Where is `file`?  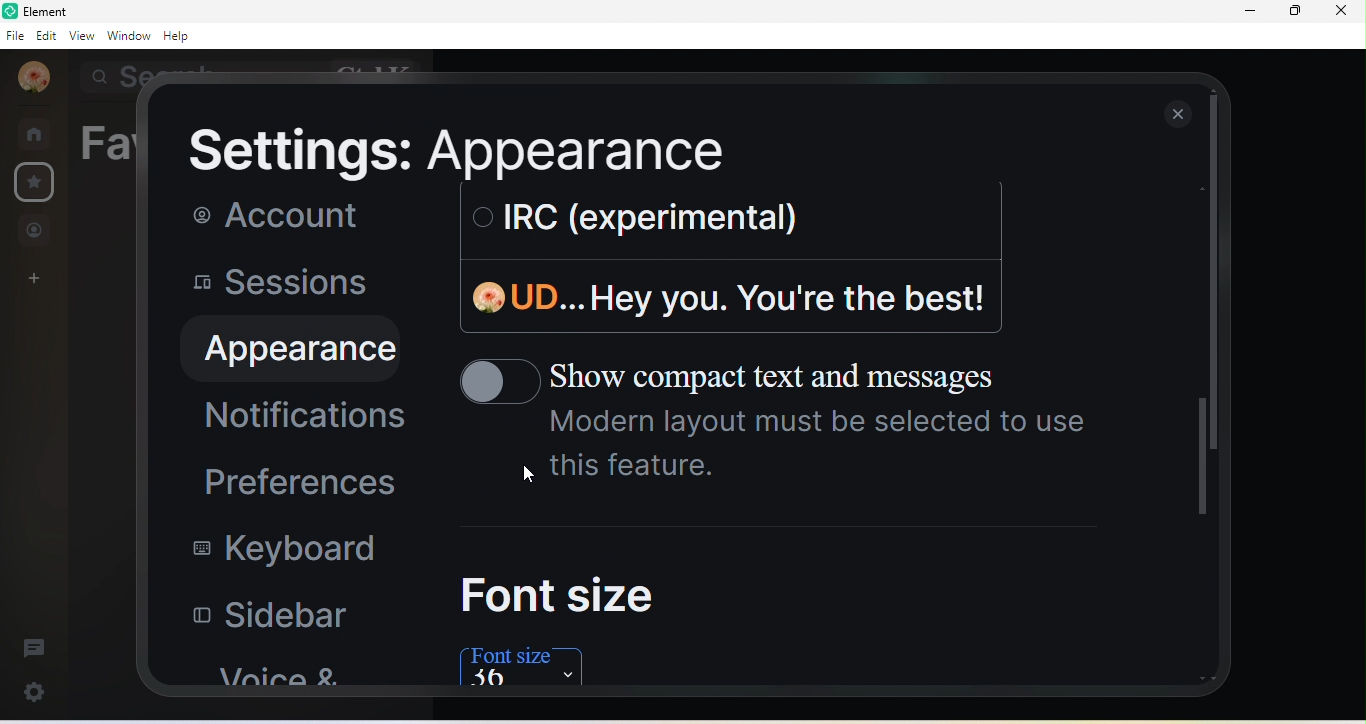
file is located at coordinates (18, 38).